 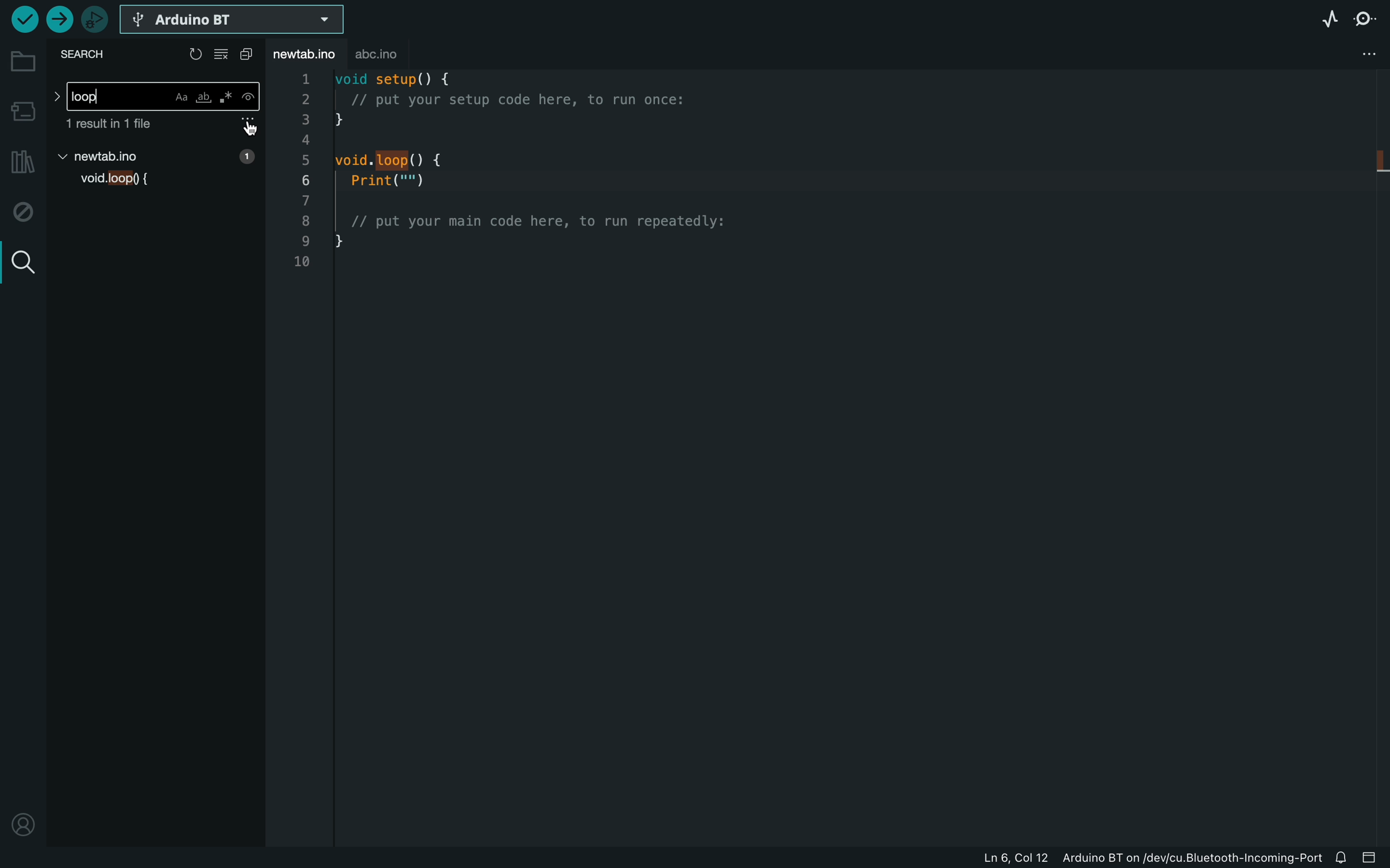 I want to click on close slide bar, so click(x=1374, y=858).